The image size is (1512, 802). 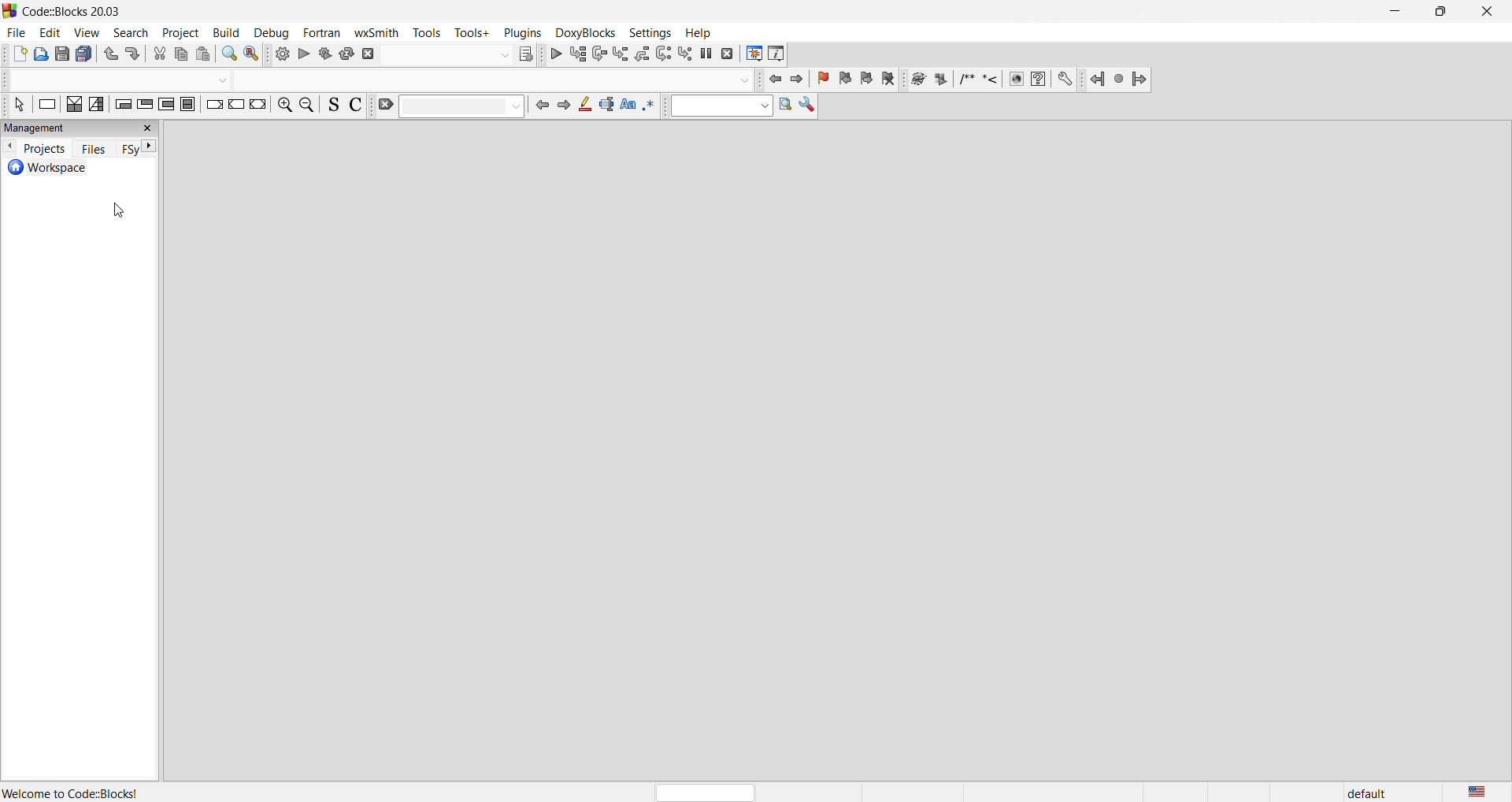 What do you see at coordinates (1066, 80) in the screenshot?
I see `Preferences` at bounding box center [1066, 80].